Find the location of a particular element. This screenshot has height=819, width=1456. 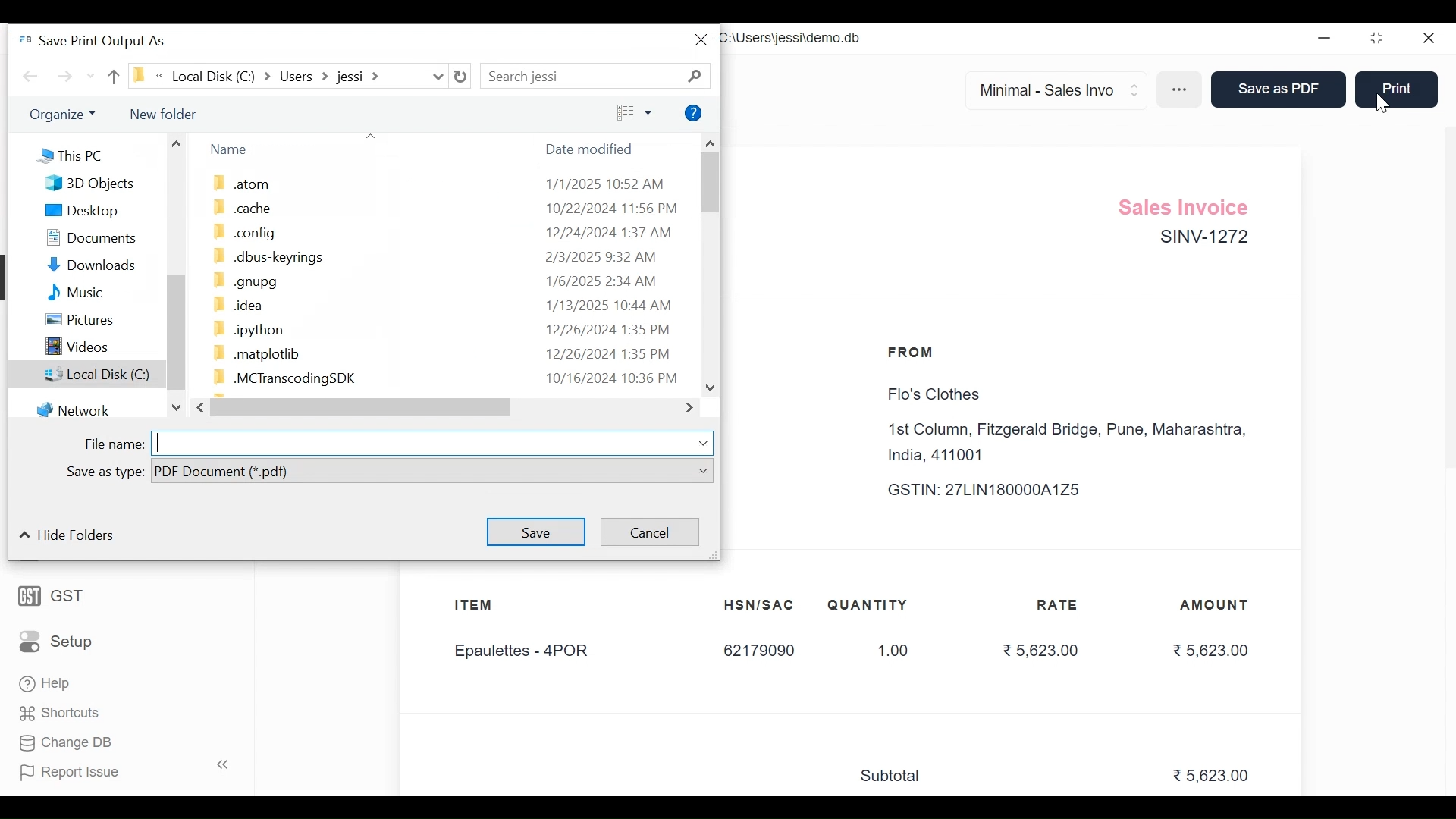

.idea is located at coordinates (234, 305).